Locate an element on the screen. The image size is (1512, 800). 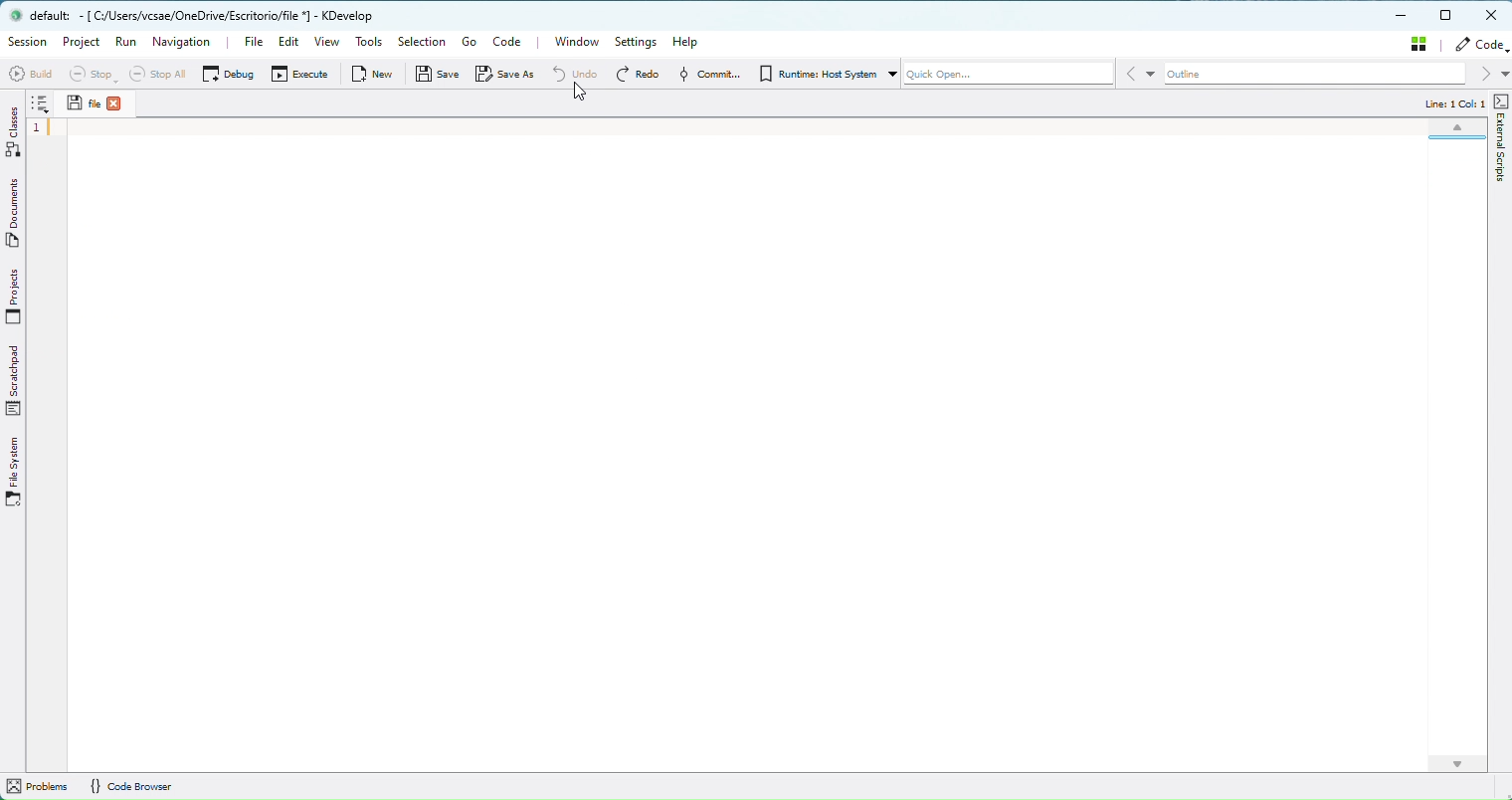
Maximize is located at coordinates (1443, 14).